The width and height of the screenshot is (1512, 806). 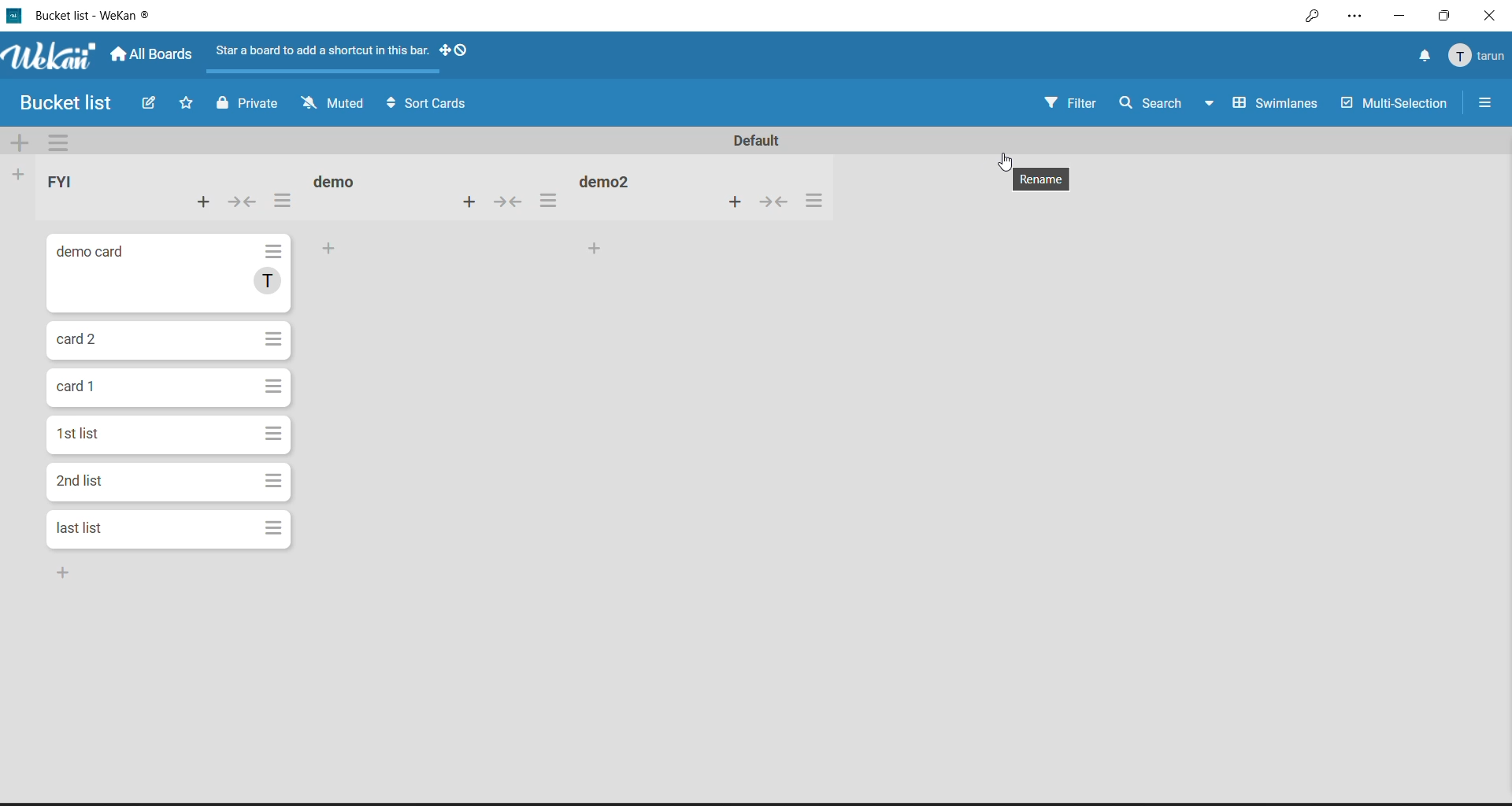 What do you see at coordinates (775, 202) in the screenshot?
I see `collapse` at bounding box center [775, 202].